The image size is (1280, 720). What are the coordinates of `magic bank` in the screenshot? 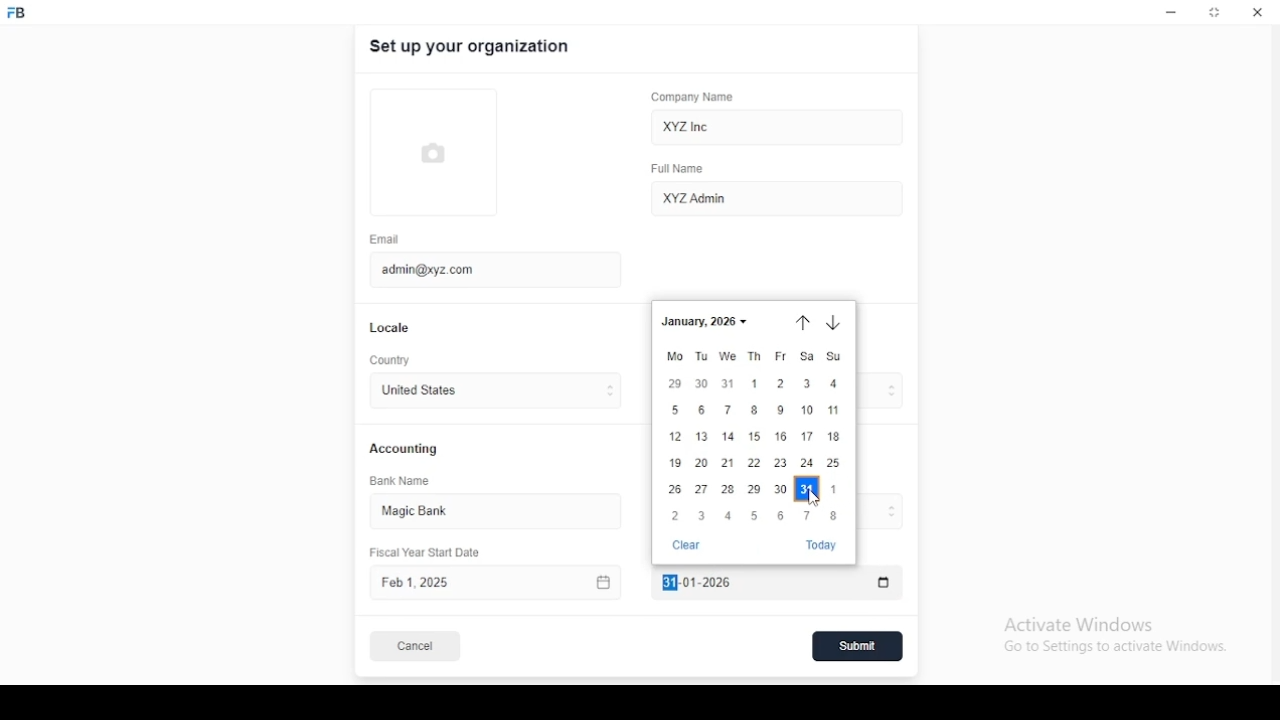 It's located at (423, 512).